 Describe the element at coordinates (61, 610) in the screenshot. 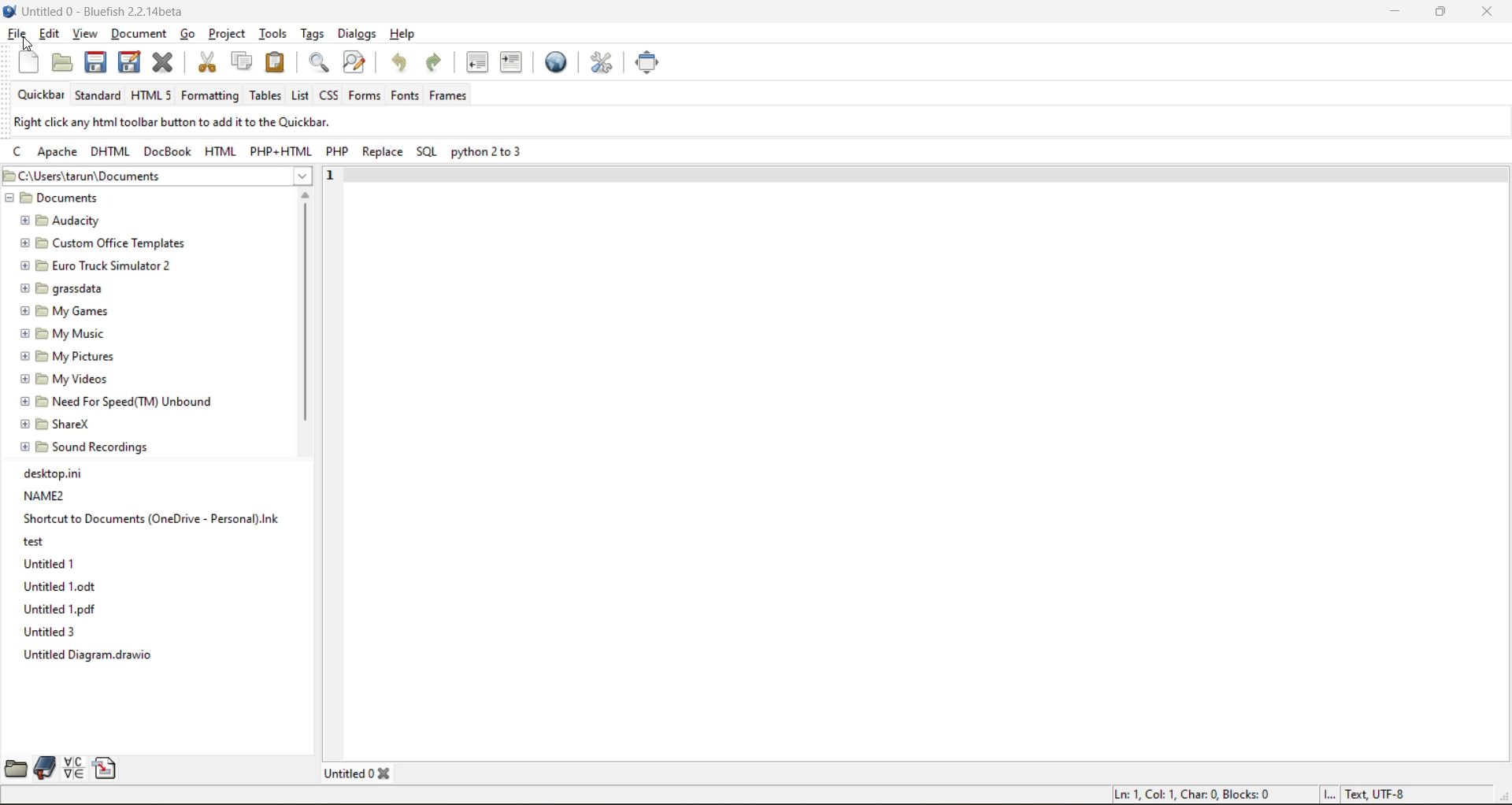

I see `Untitled 1.pdf` at that location.